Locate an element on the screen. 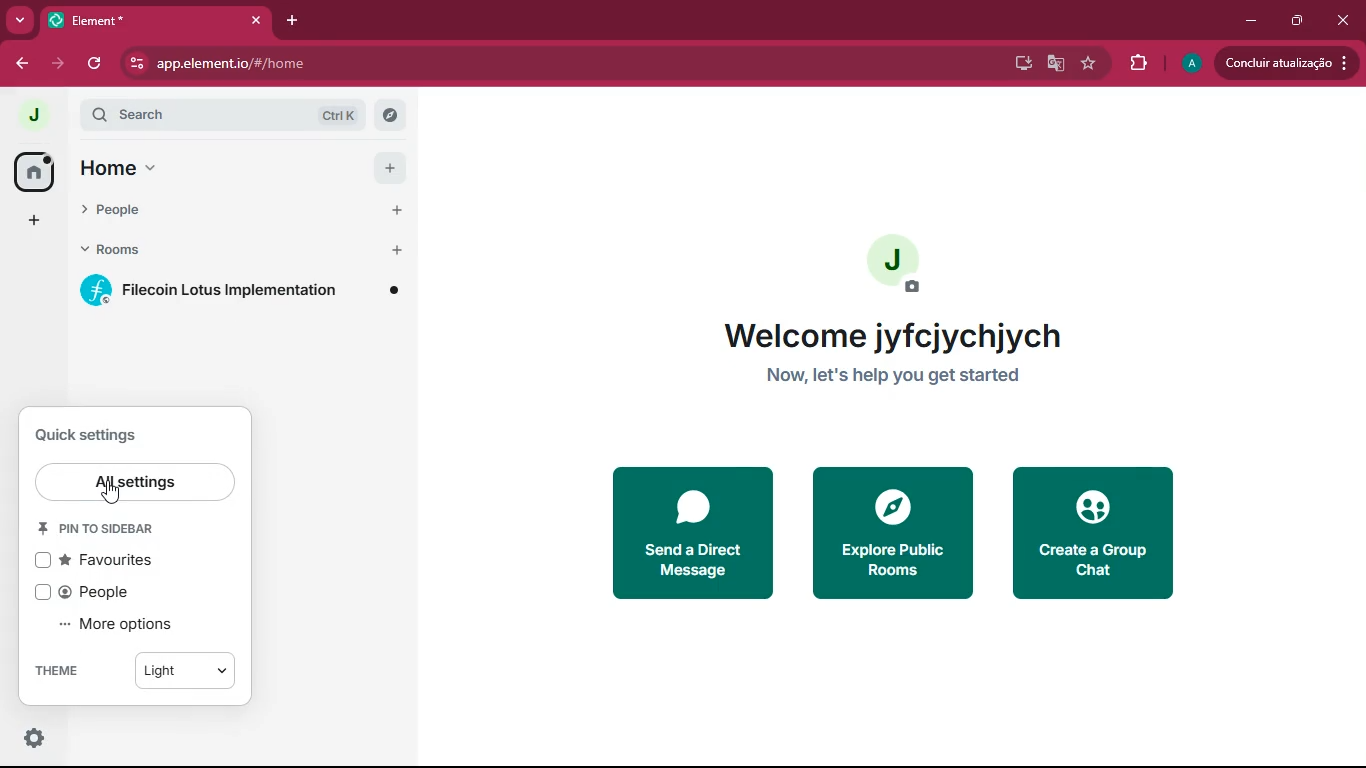 The image size is (1366, 768). app.element.io/#/home is located at coordinates (318, 63).